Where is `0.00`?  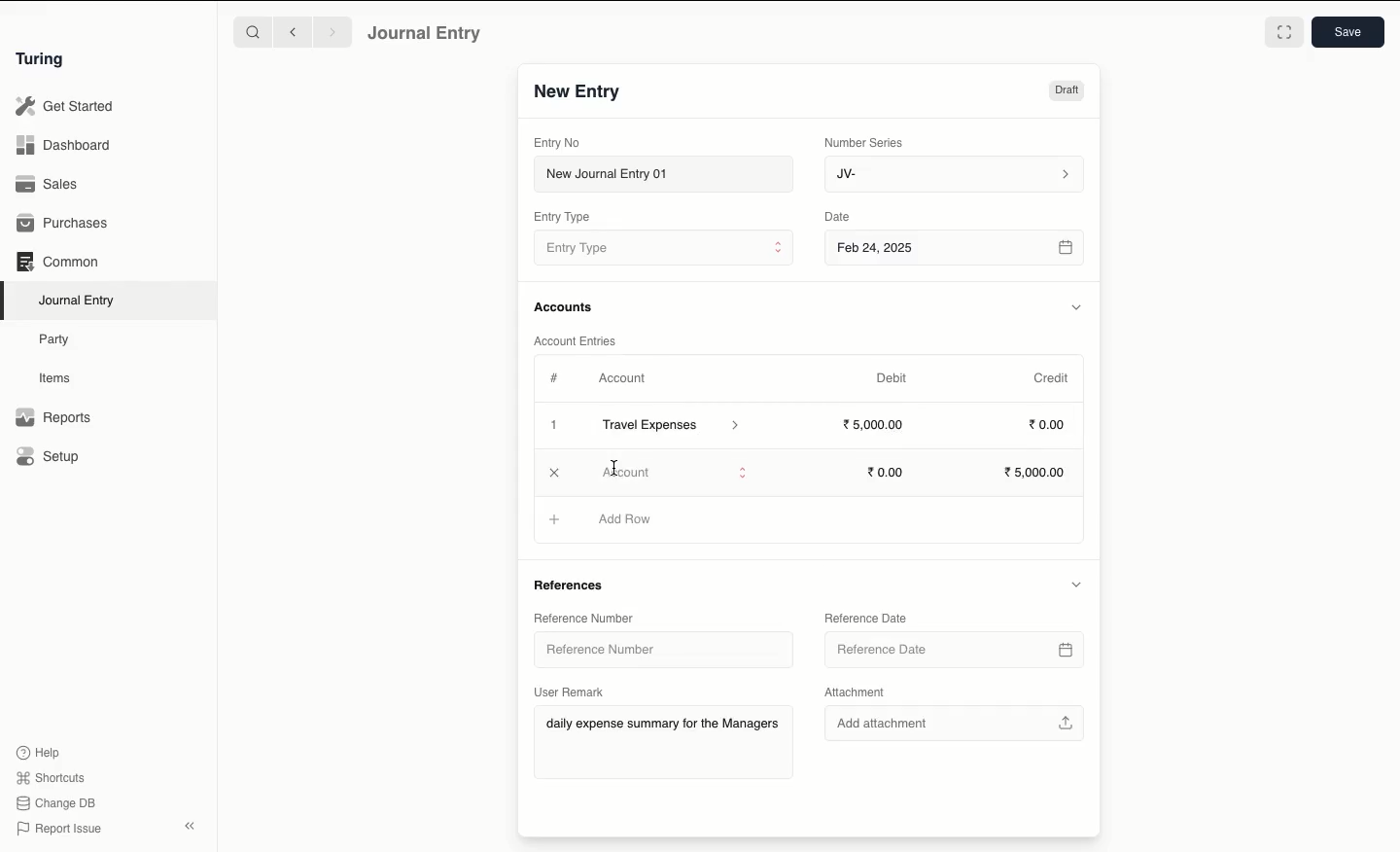 0.00 is located at coordinates (1048, 423).